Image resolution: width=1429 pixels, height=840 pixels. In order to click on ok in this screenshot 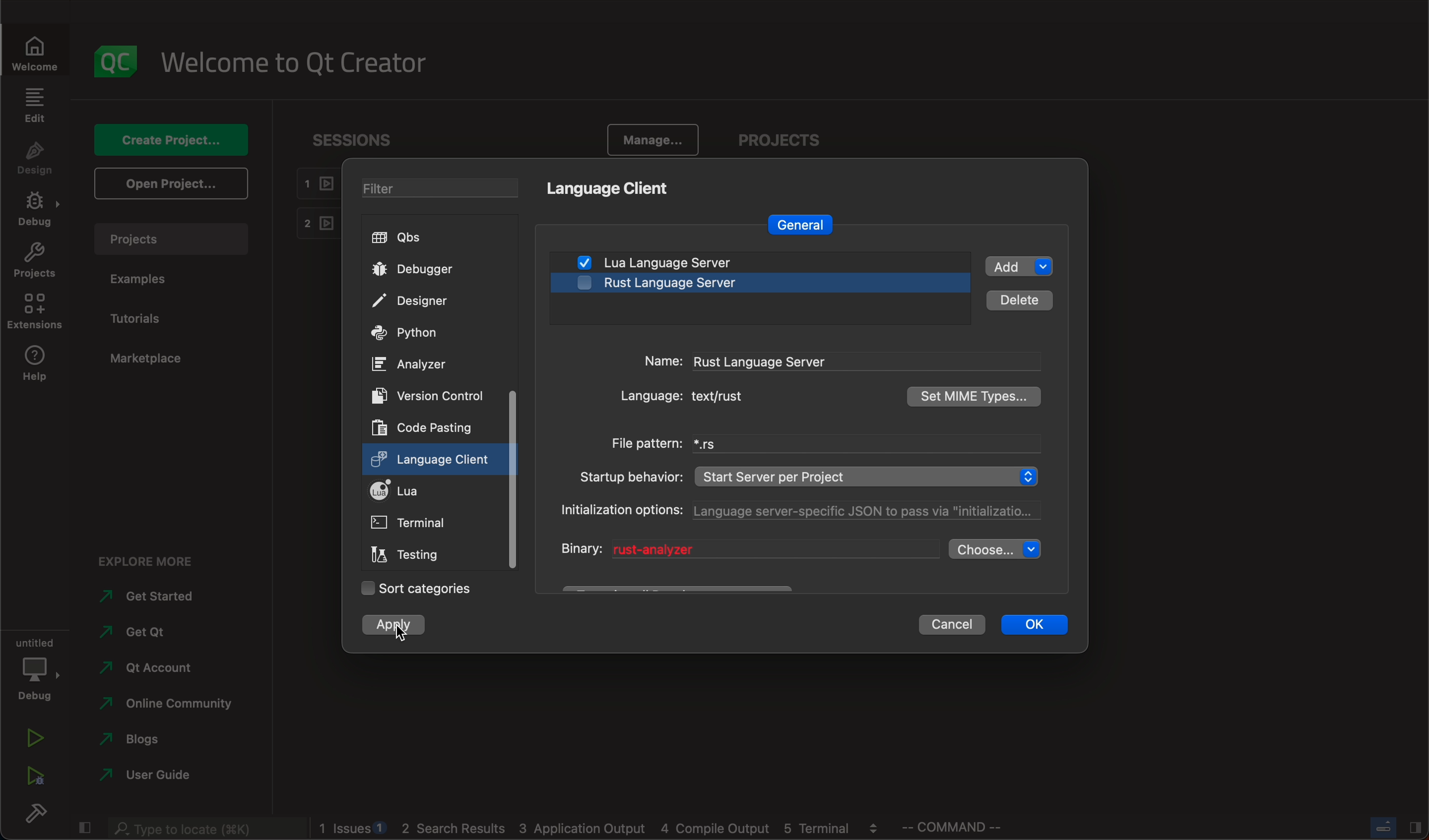, I will do `click(1043, 625)`.